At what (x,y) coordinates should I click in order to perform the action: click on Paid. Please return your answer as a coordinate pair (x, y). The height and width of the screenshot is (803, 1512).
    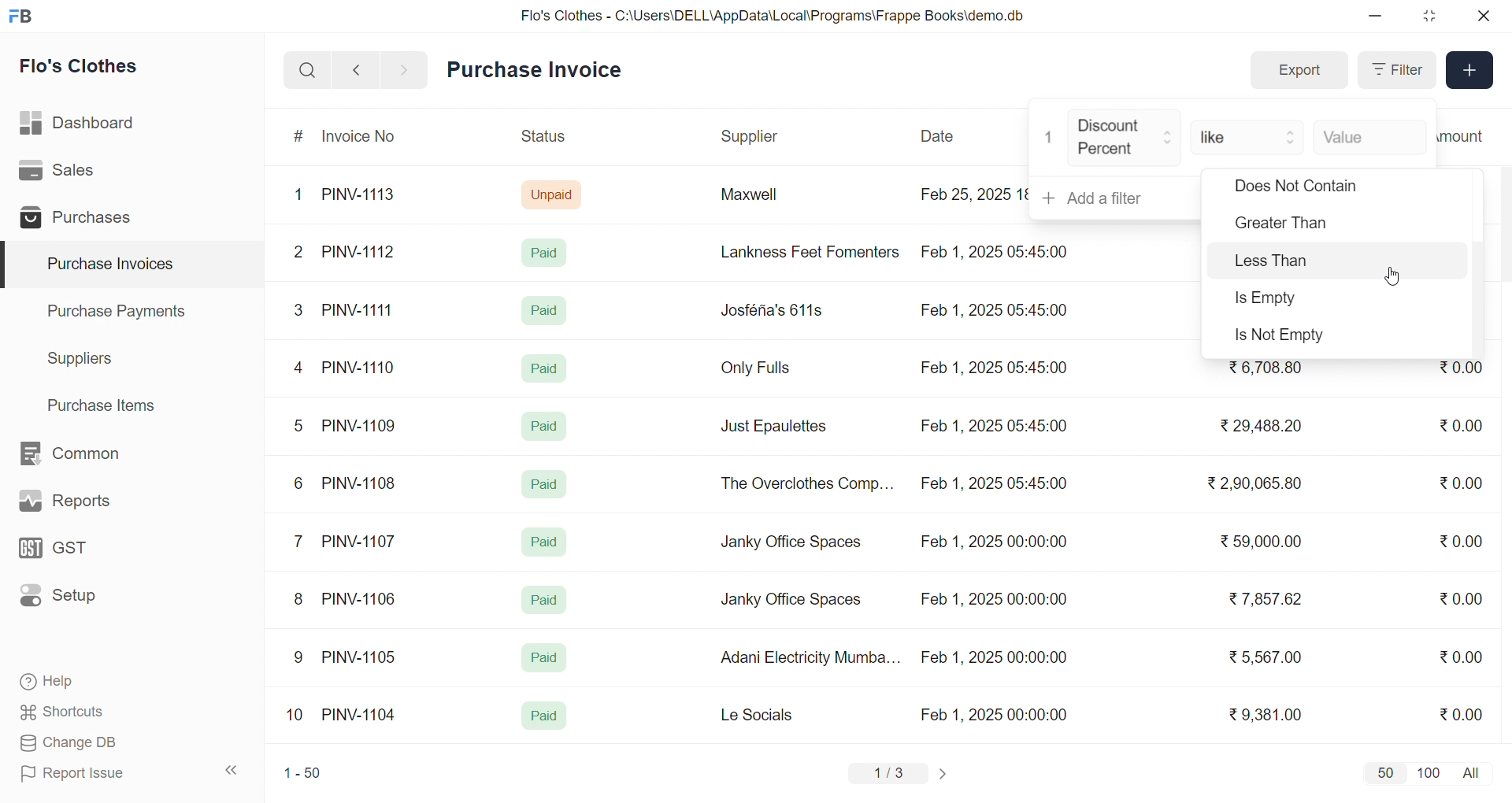
    Looking at the image, I should click on (547, 424).